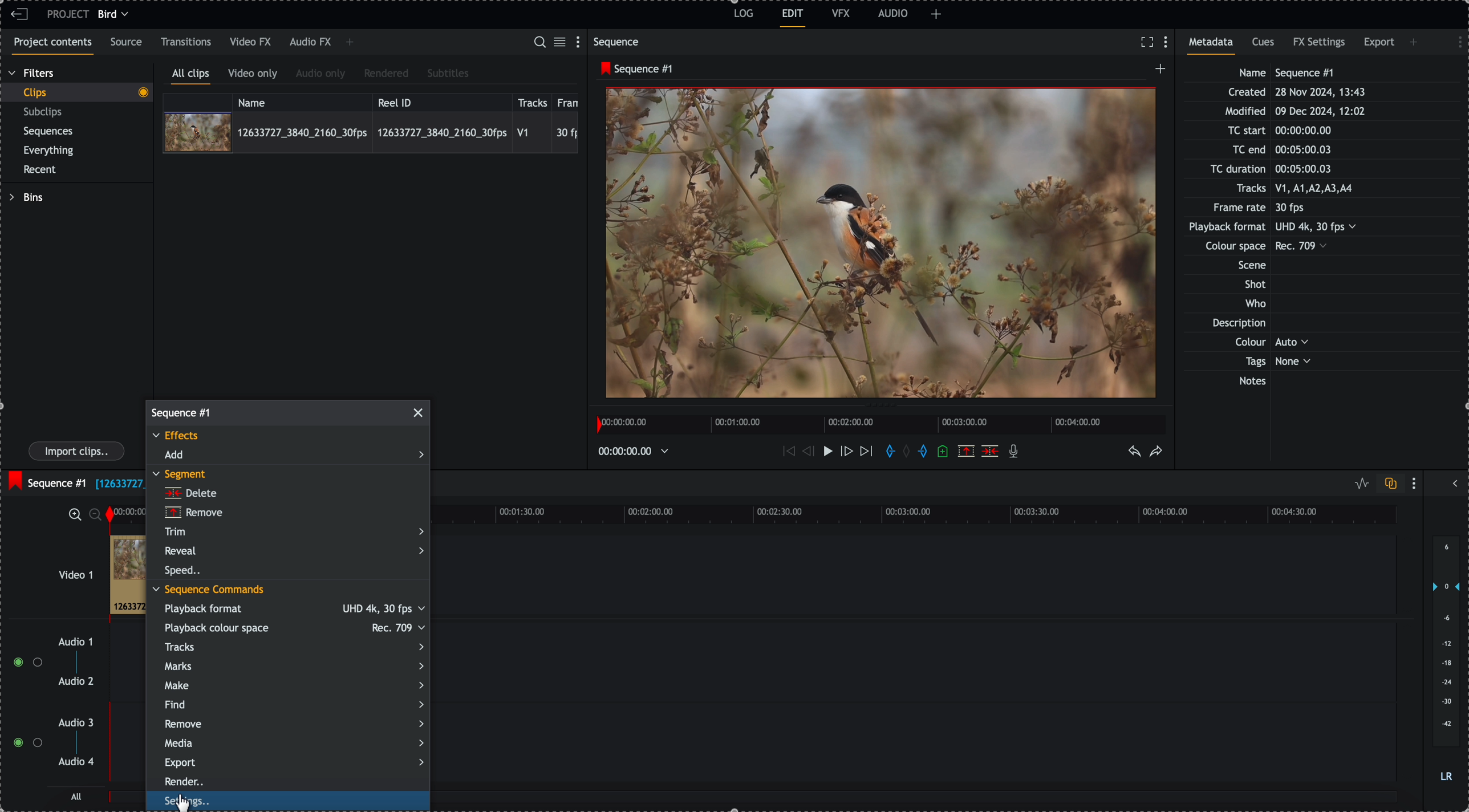 This screenshot has height=812, width=1469. What do you see at coordinates (1168, 43) in the screenshot?
I see `show settings menu` at bounding box center [1168, 43].